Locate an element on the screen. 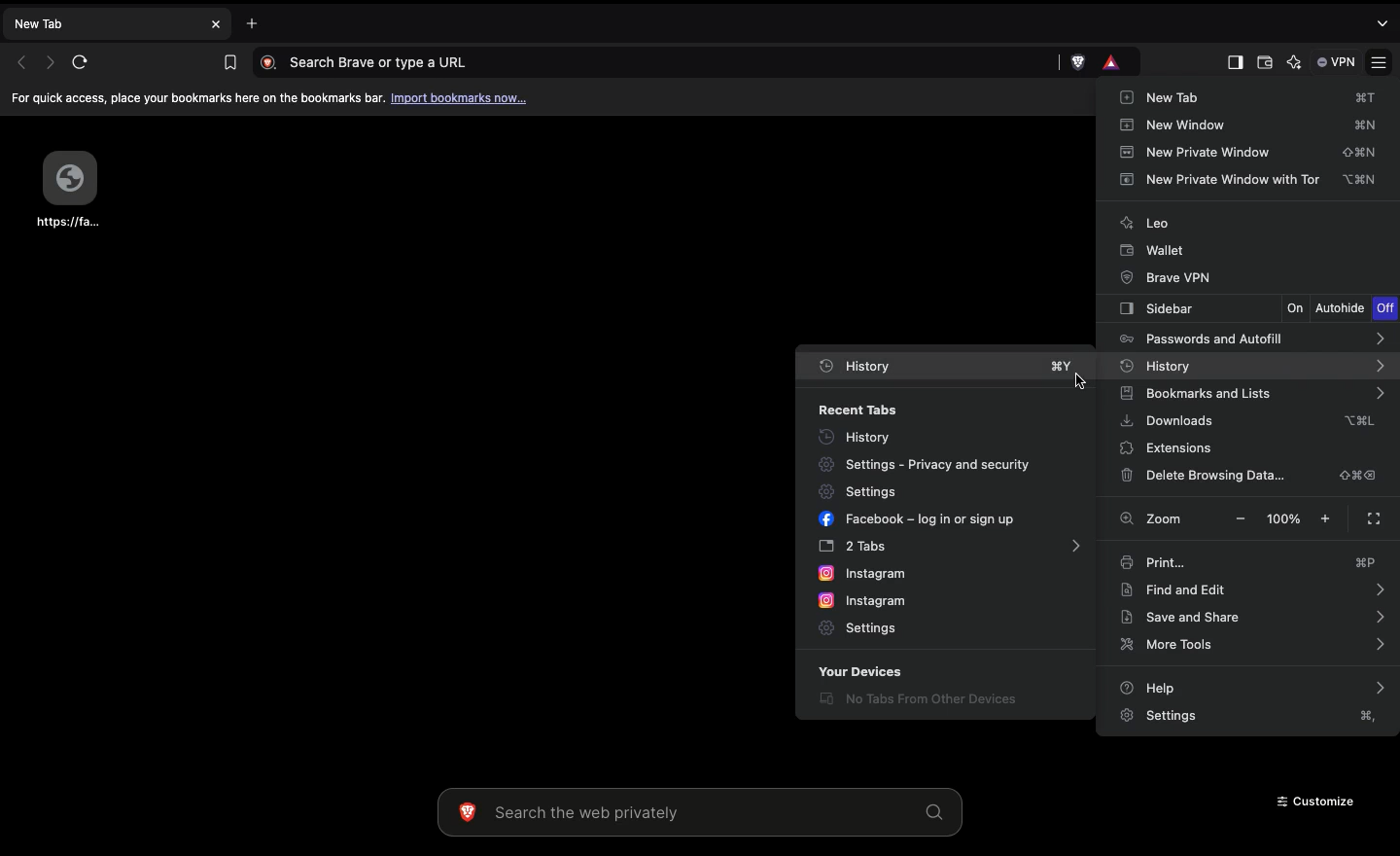 Image resolution: width=1400 pixels, height=856 pixels. Facebook is located at coordinates (922, 521).